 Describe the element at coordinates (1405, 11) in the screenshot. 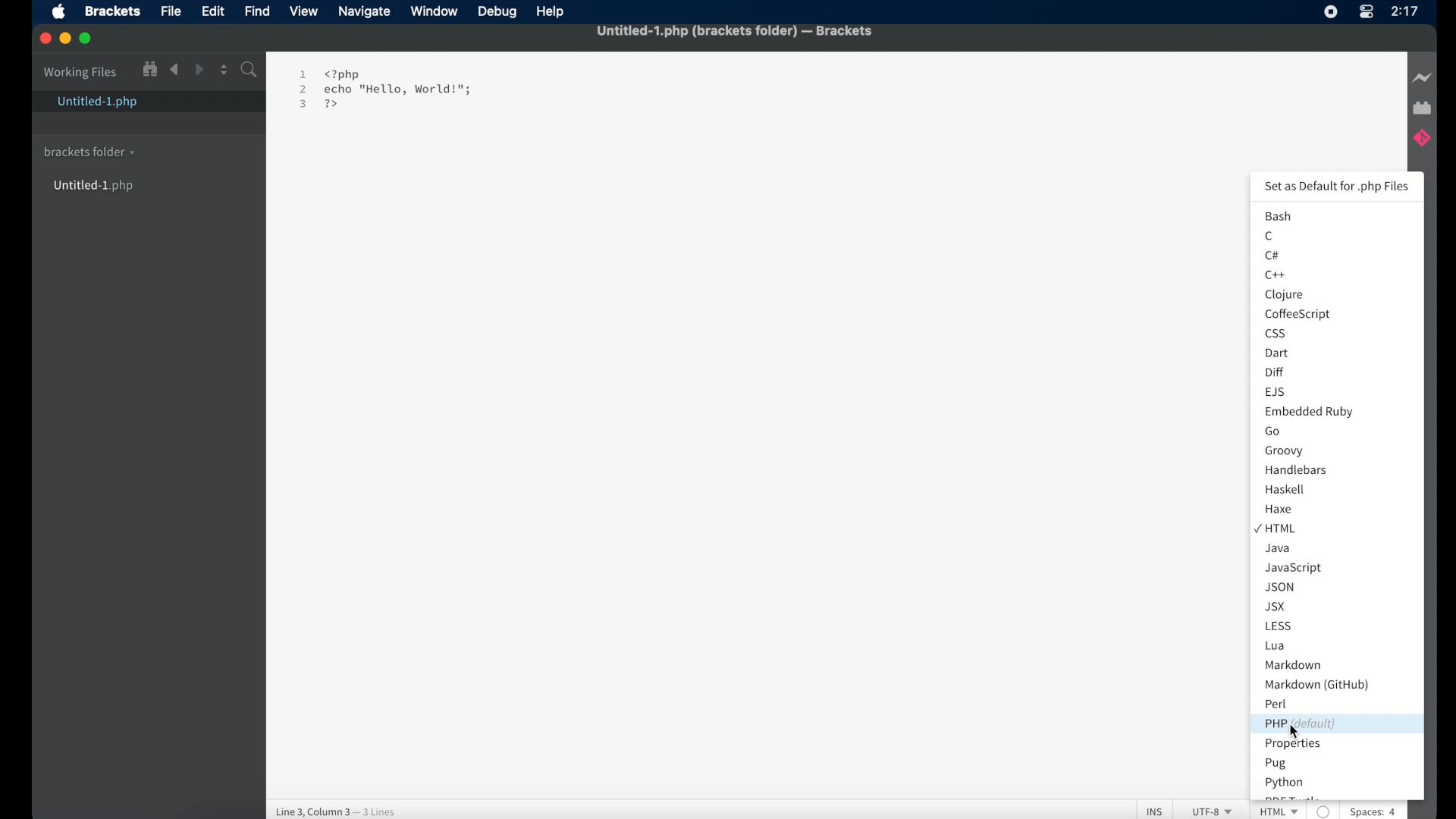

I see `time` at that location.